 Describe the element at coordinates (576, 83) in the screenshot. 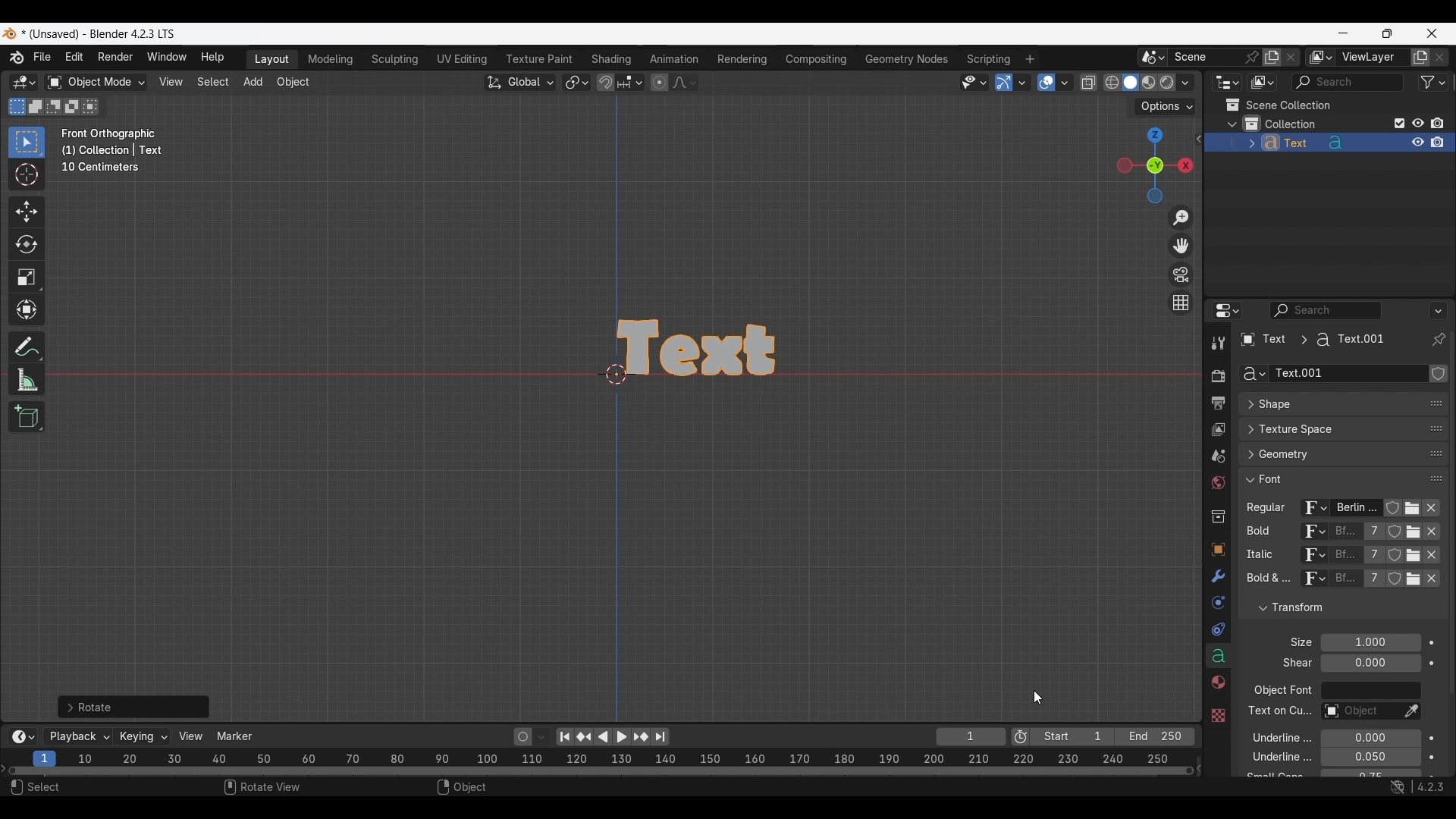

I see `Transform pivot point` at that location.